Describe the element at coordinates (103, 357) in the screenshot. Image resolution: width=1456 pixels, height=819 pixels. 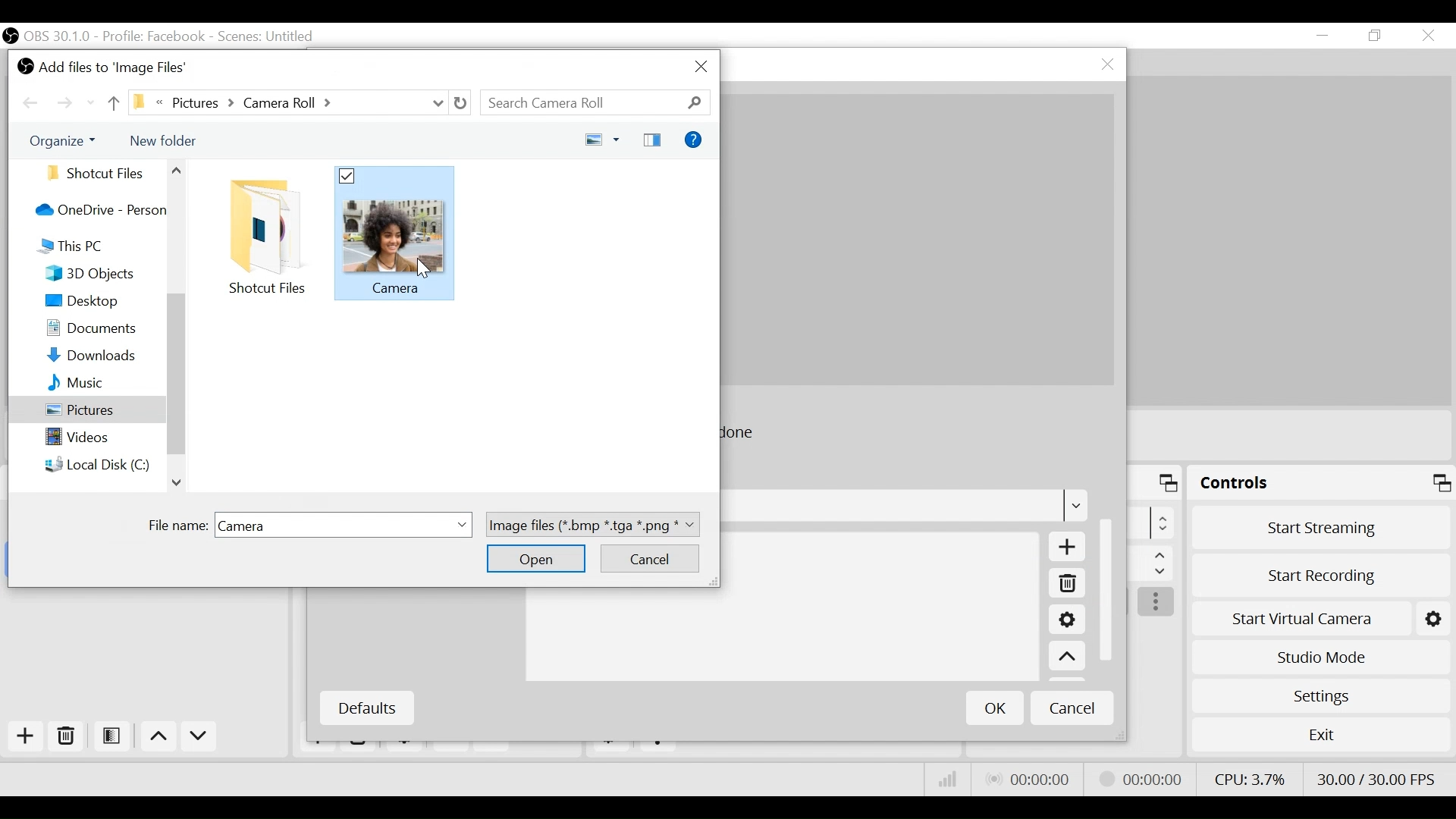
I see `Downloads` at that location.